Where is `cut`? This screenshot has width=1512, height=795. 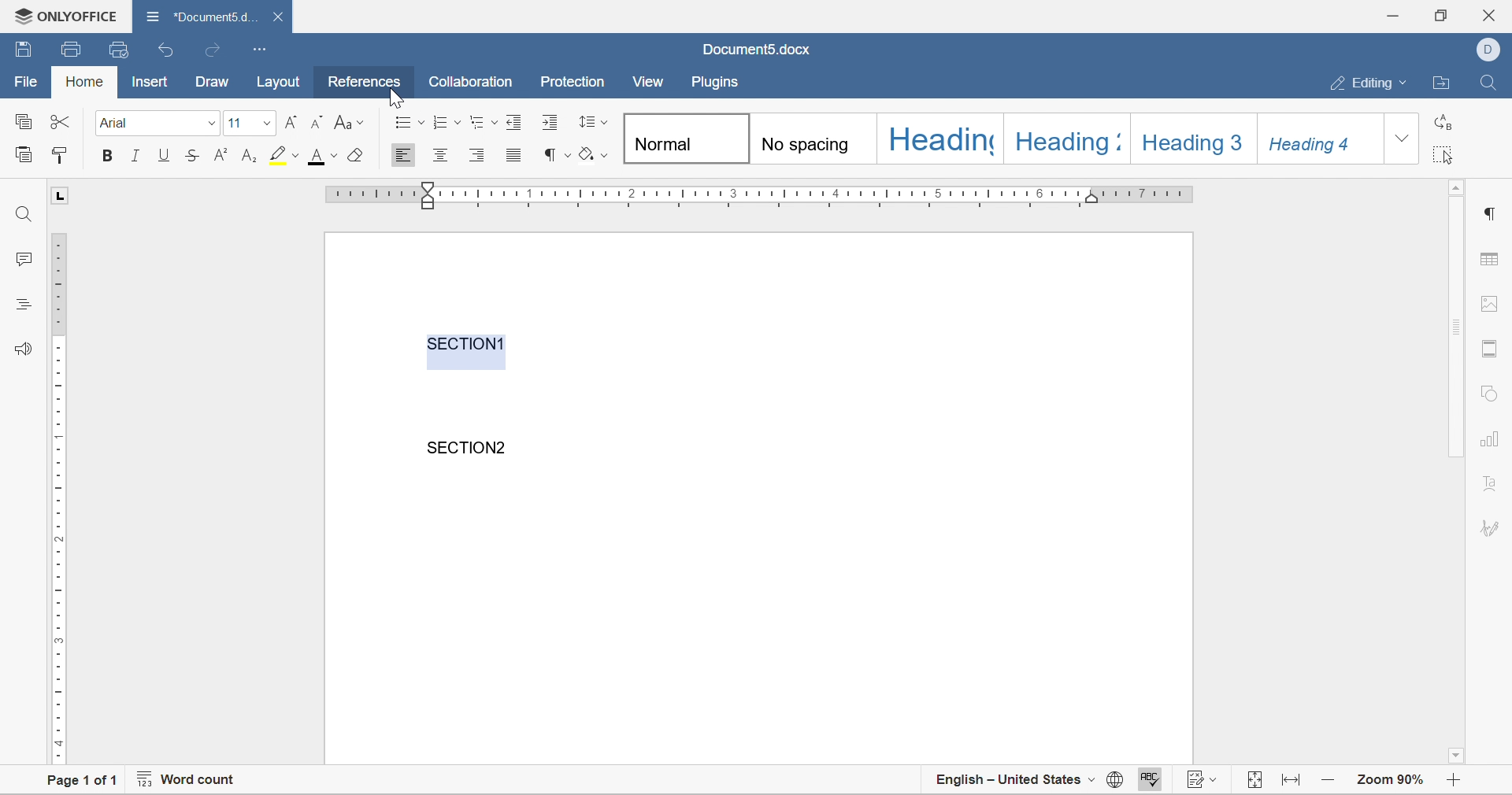 cut is located at coordinates (60, 121).